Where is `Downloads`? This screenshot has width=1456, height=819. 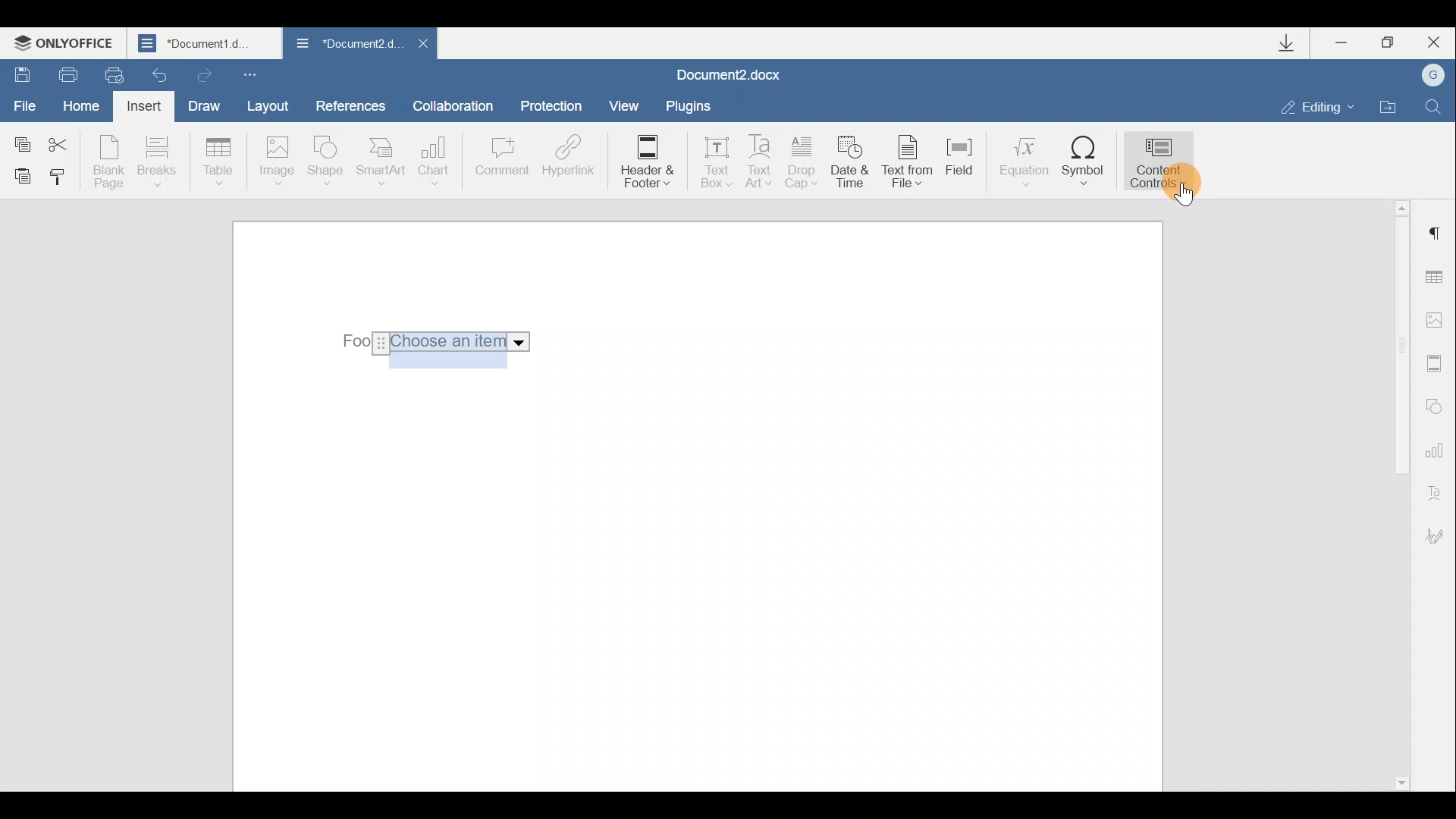 Downloads is located at coordinates (1292, 43).